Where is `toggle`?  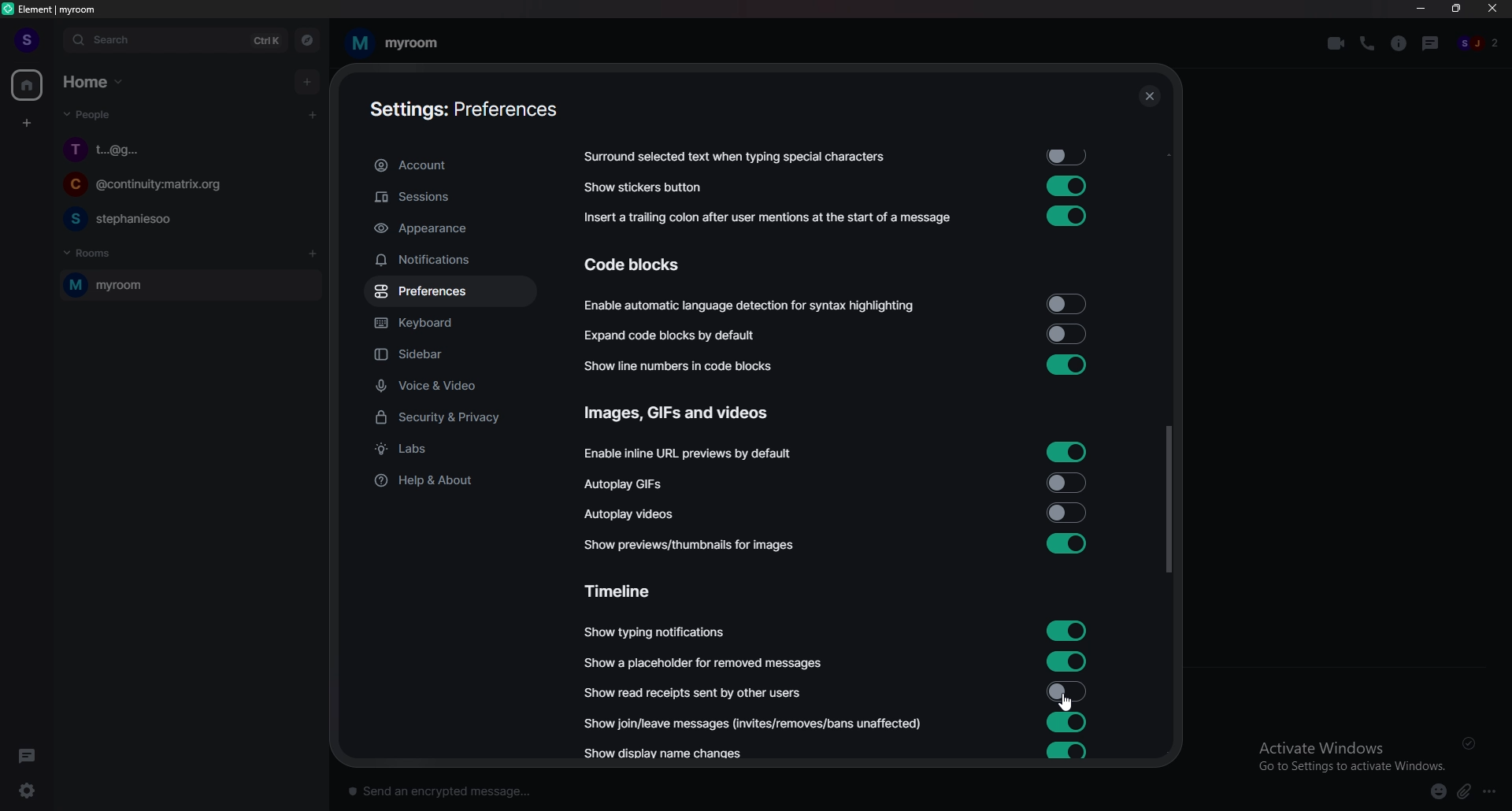 toggle is located at coordinates (1063, 217).